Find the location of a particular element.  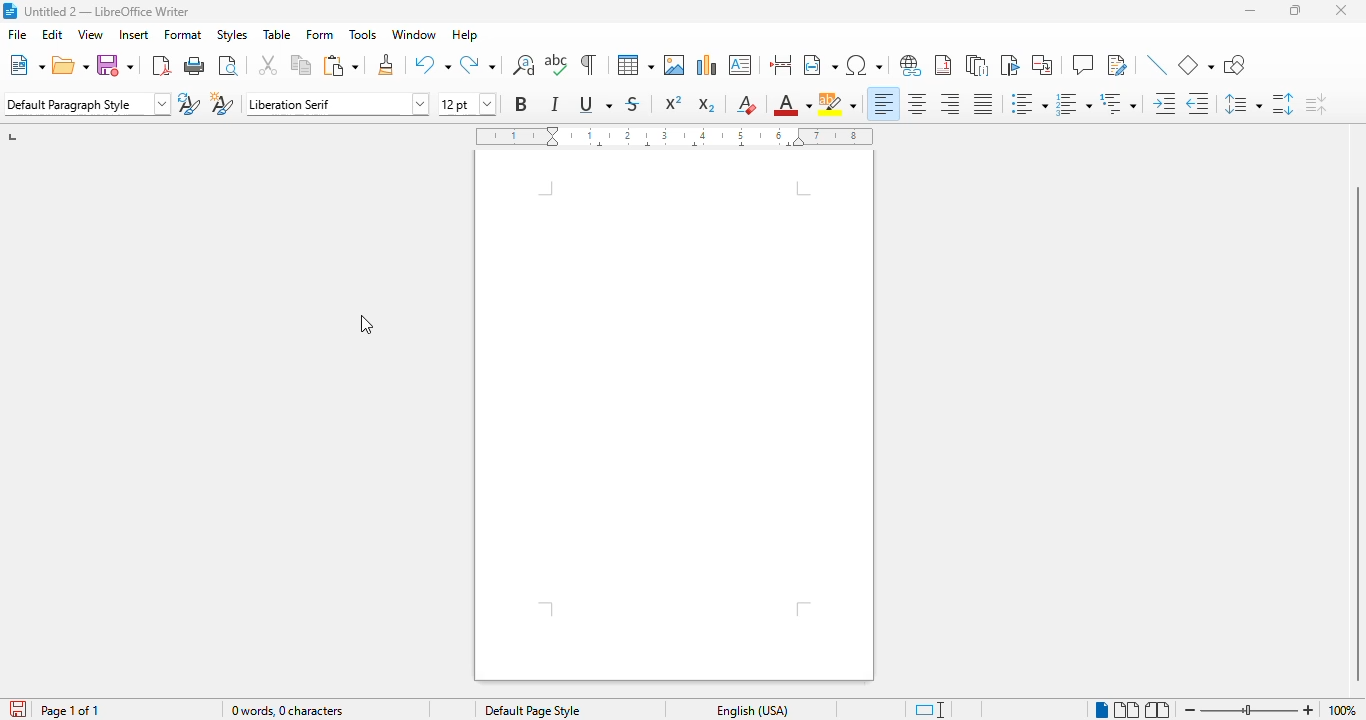

increase paragraph spacing is located at coordinates (1283, 103).